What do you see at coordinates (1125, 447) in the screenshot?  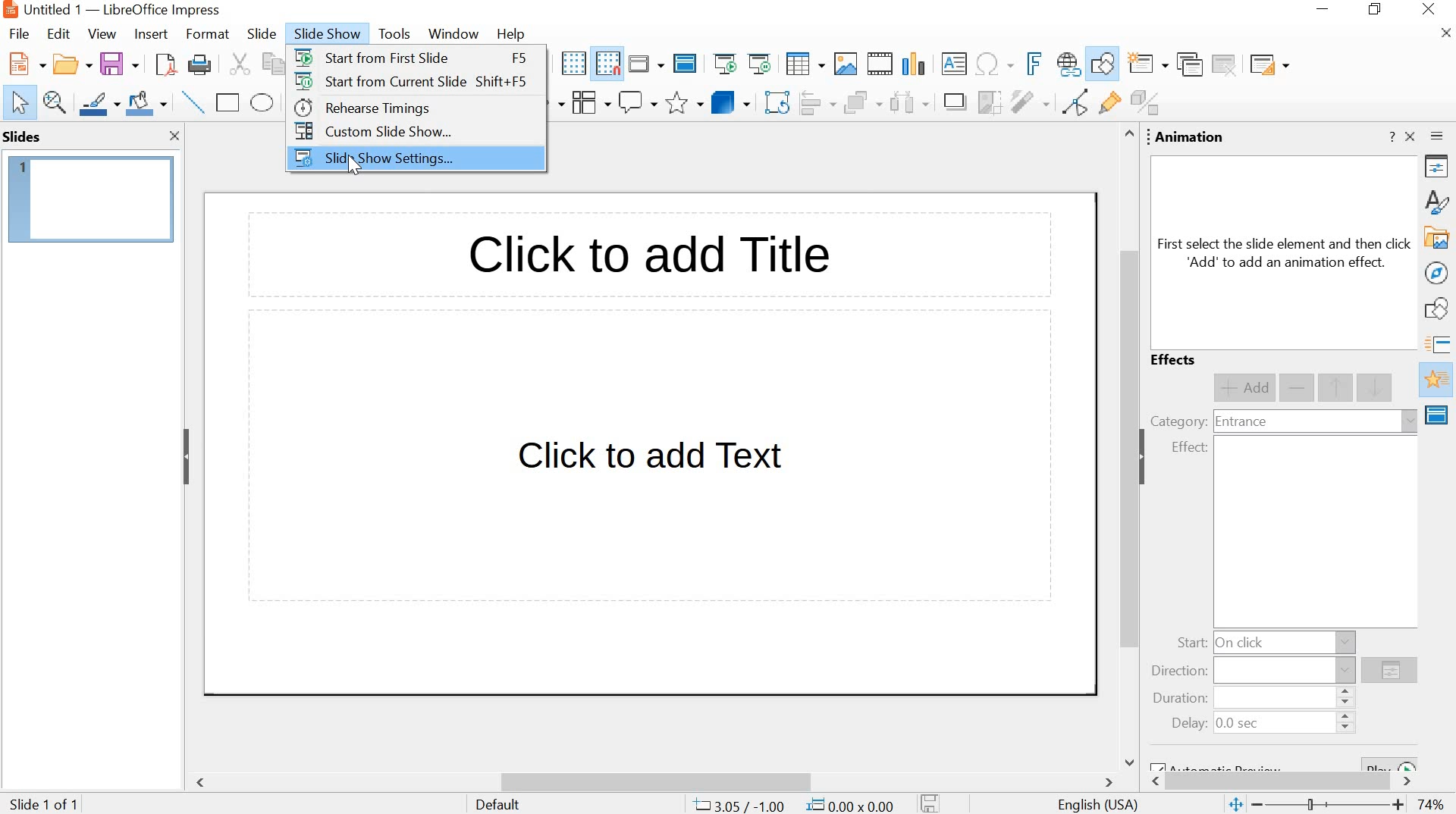 I see `scroll bar` at bounding box center [1125, 447].